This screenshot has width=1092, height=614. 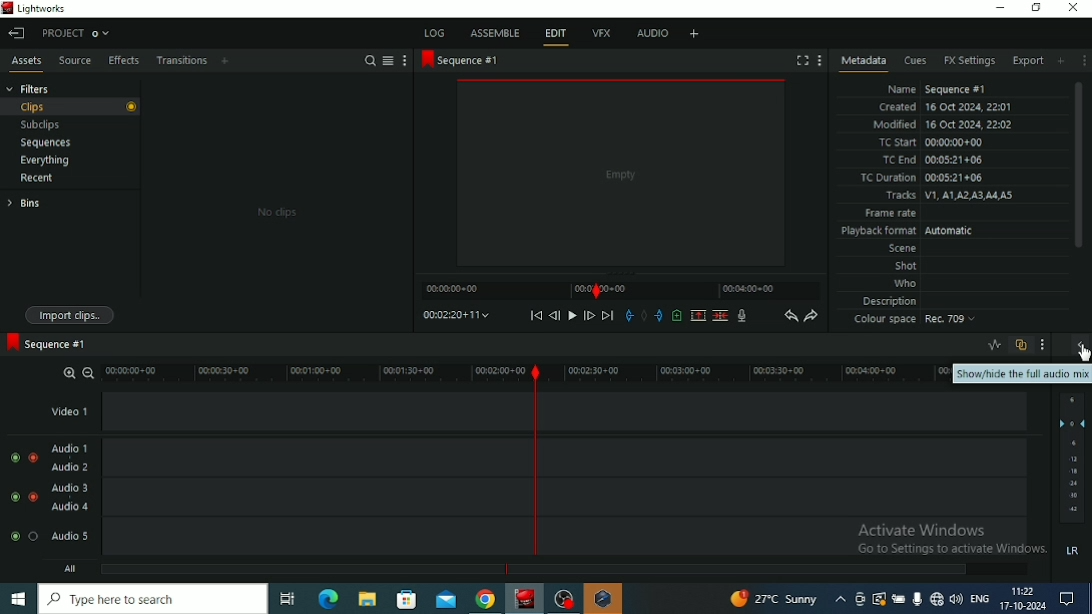 What do you see at coordinates (1061, 61) in the screenshot?
I see `Add Panel` at bounding box center [1061, 61].